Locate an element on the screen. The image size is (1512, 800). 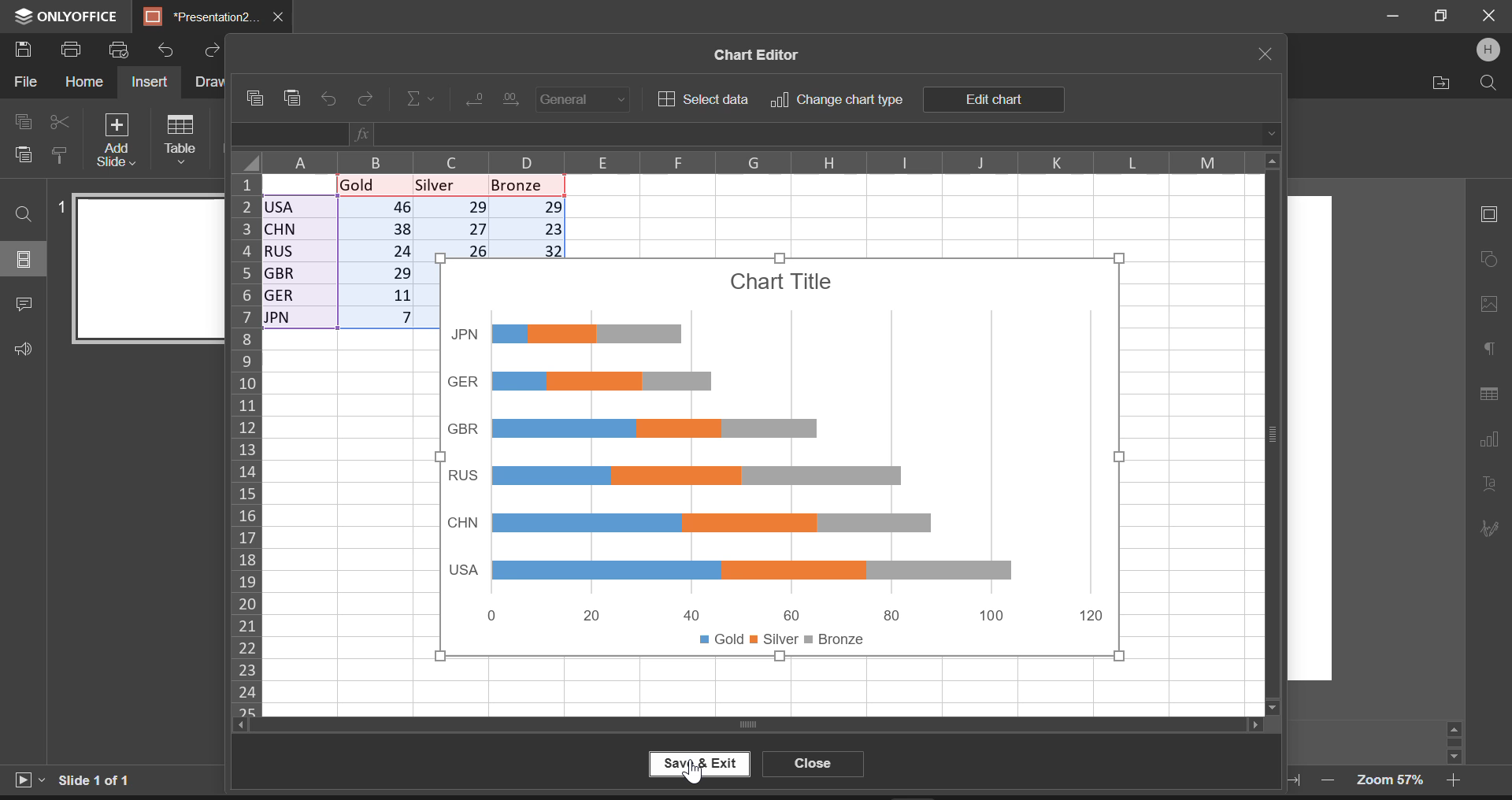
Undo is located at coordinates (330, 98).